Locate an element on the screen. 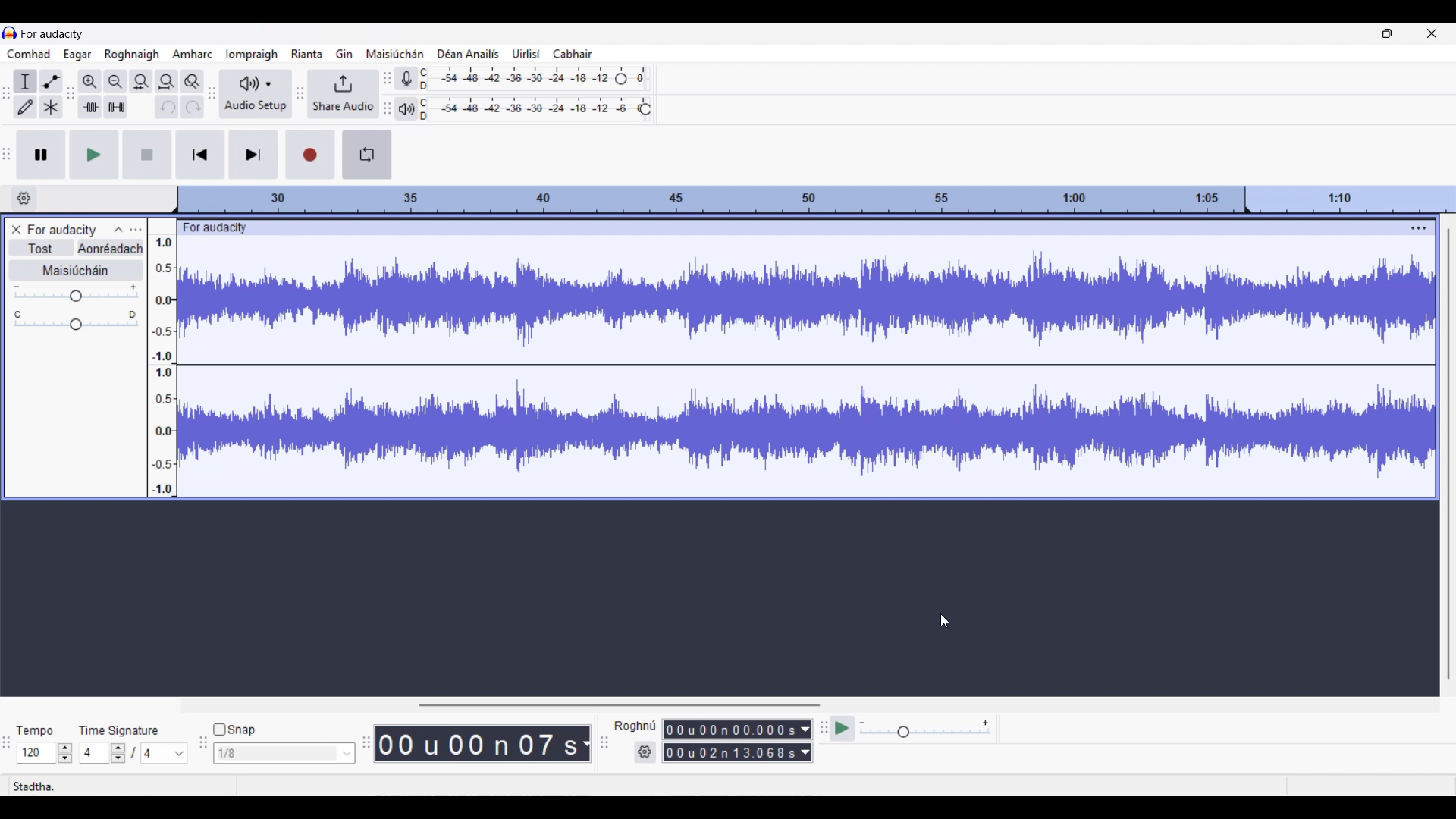 This screenshot has height=819, width=1456. Track settings is located at coordinates (1420, 227).